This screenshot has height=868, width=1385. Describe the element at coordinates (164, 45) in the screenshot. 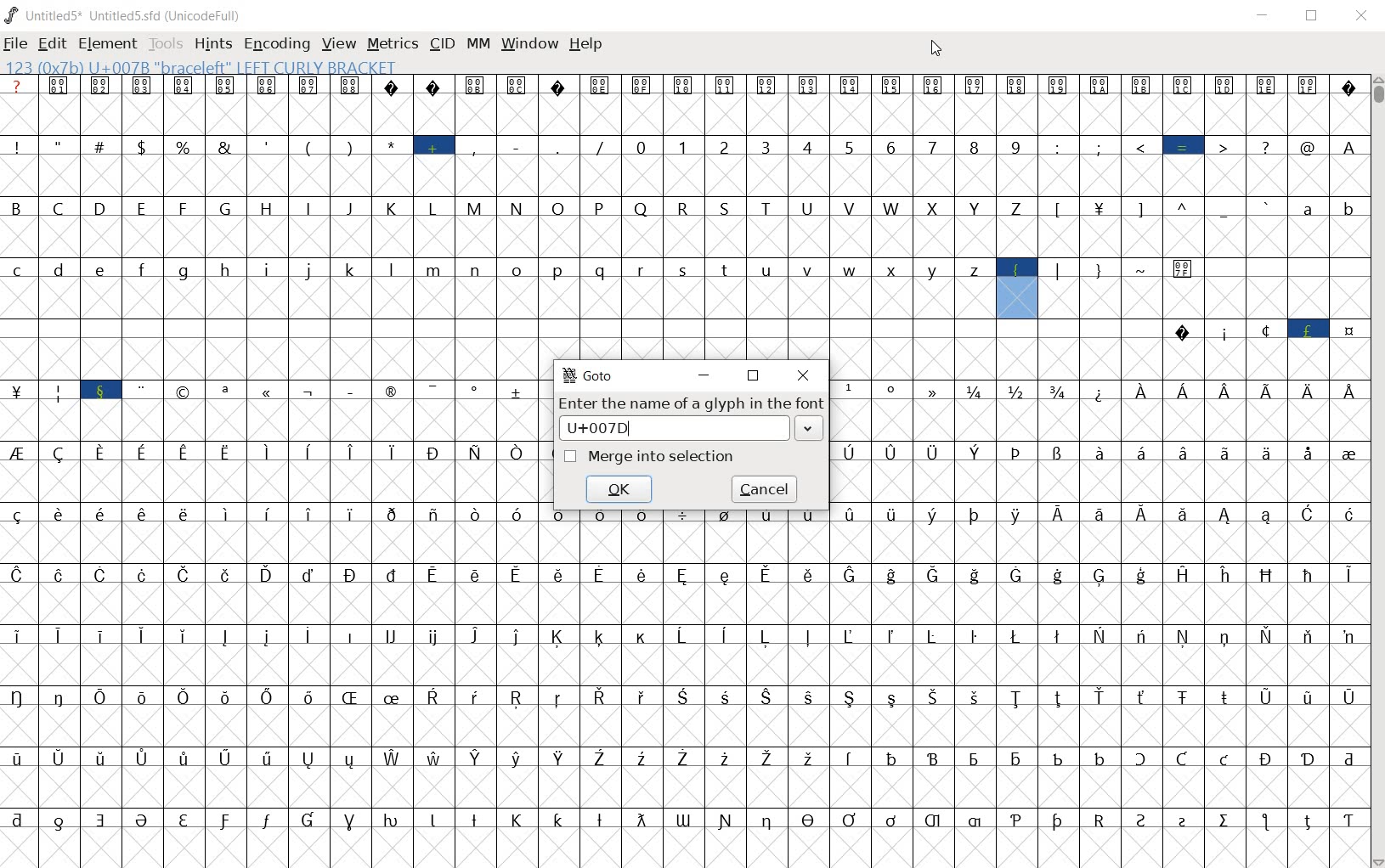

I see `TOOLS` at that location.